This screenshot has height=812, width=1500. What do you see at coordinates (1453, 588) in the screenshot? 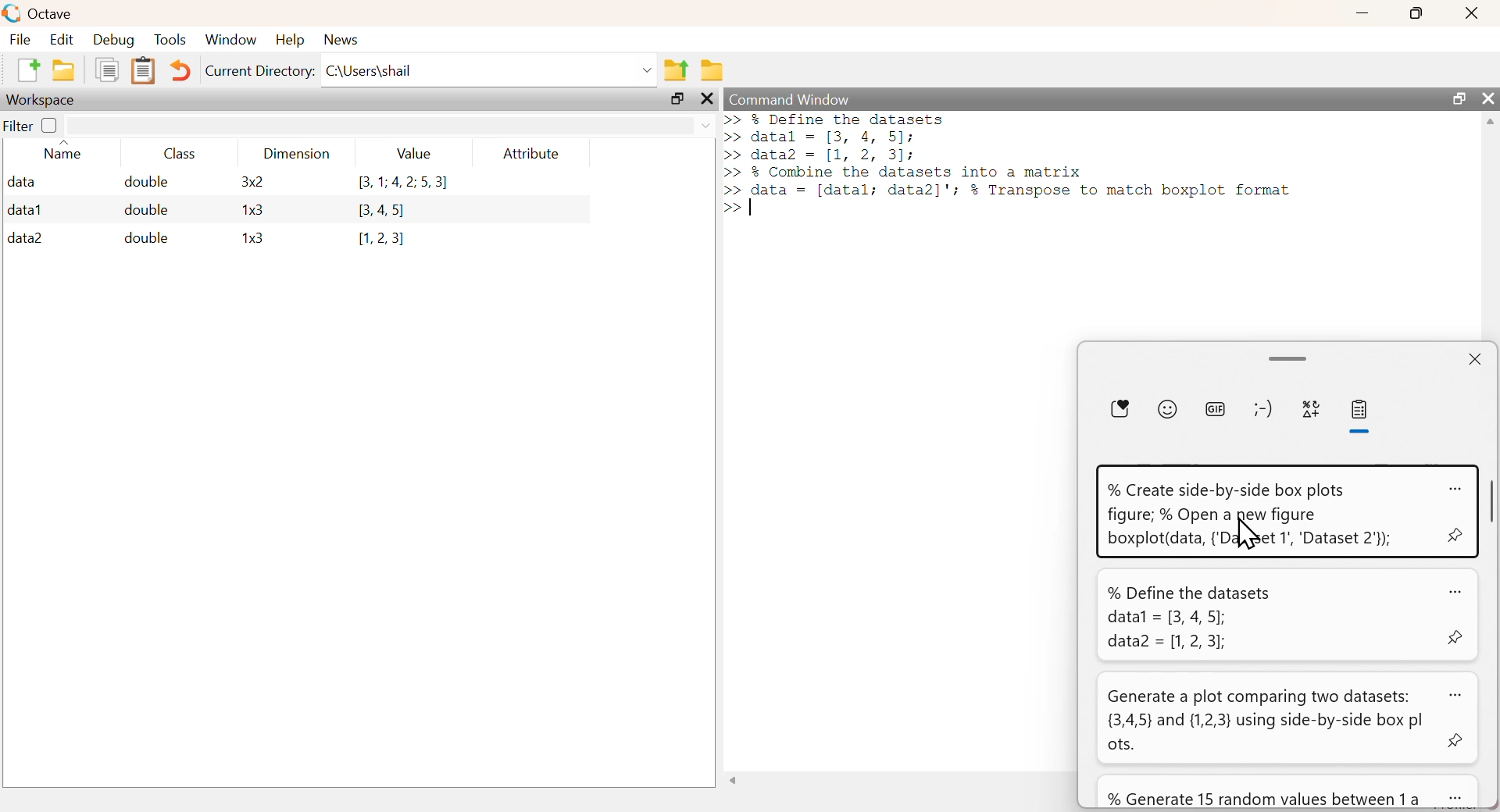
I see `more options` at bounding box center [1453, 588].